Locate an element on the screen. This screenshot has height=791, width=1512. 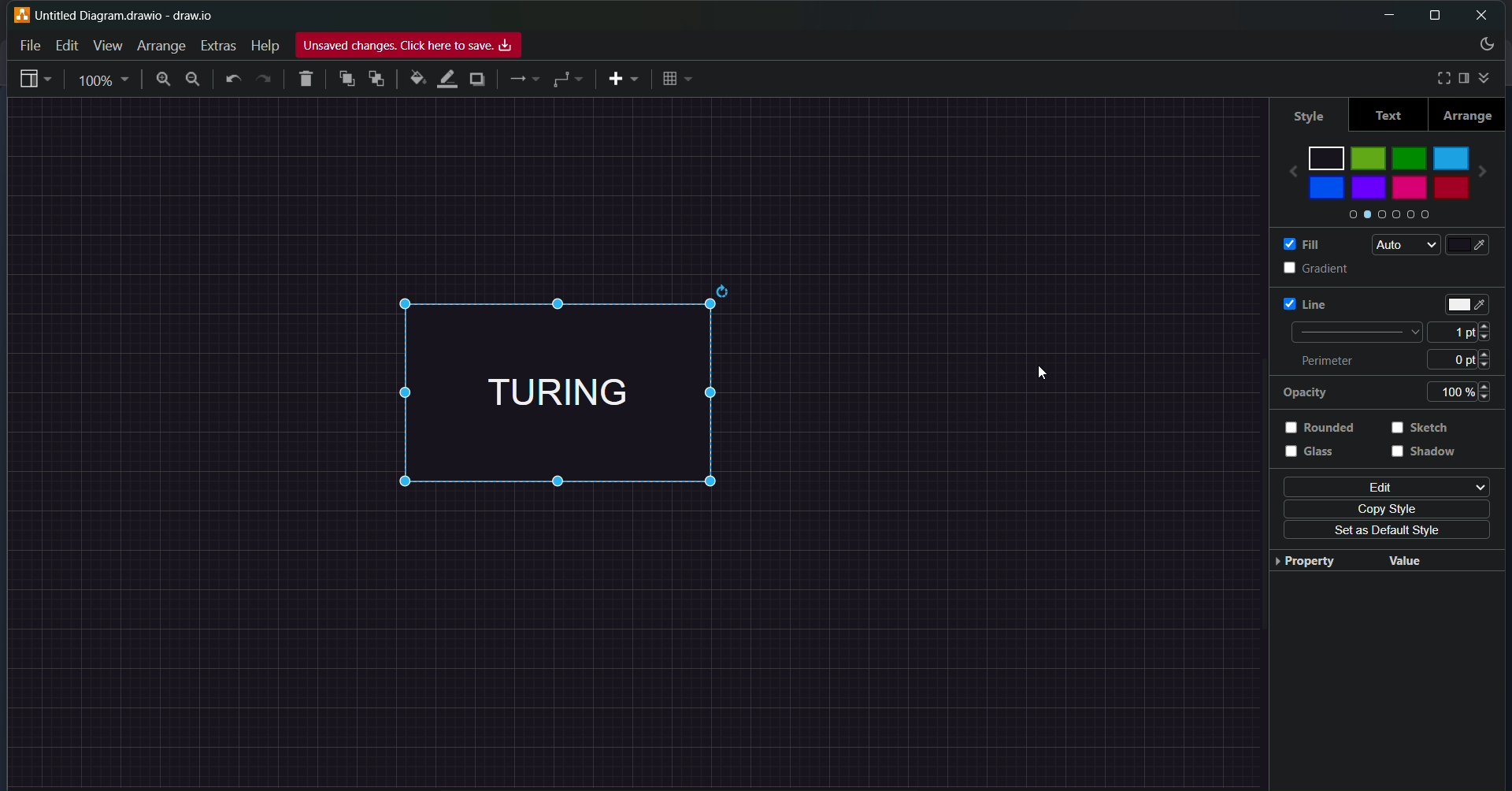
blue is located at coordinates (1326, 188).